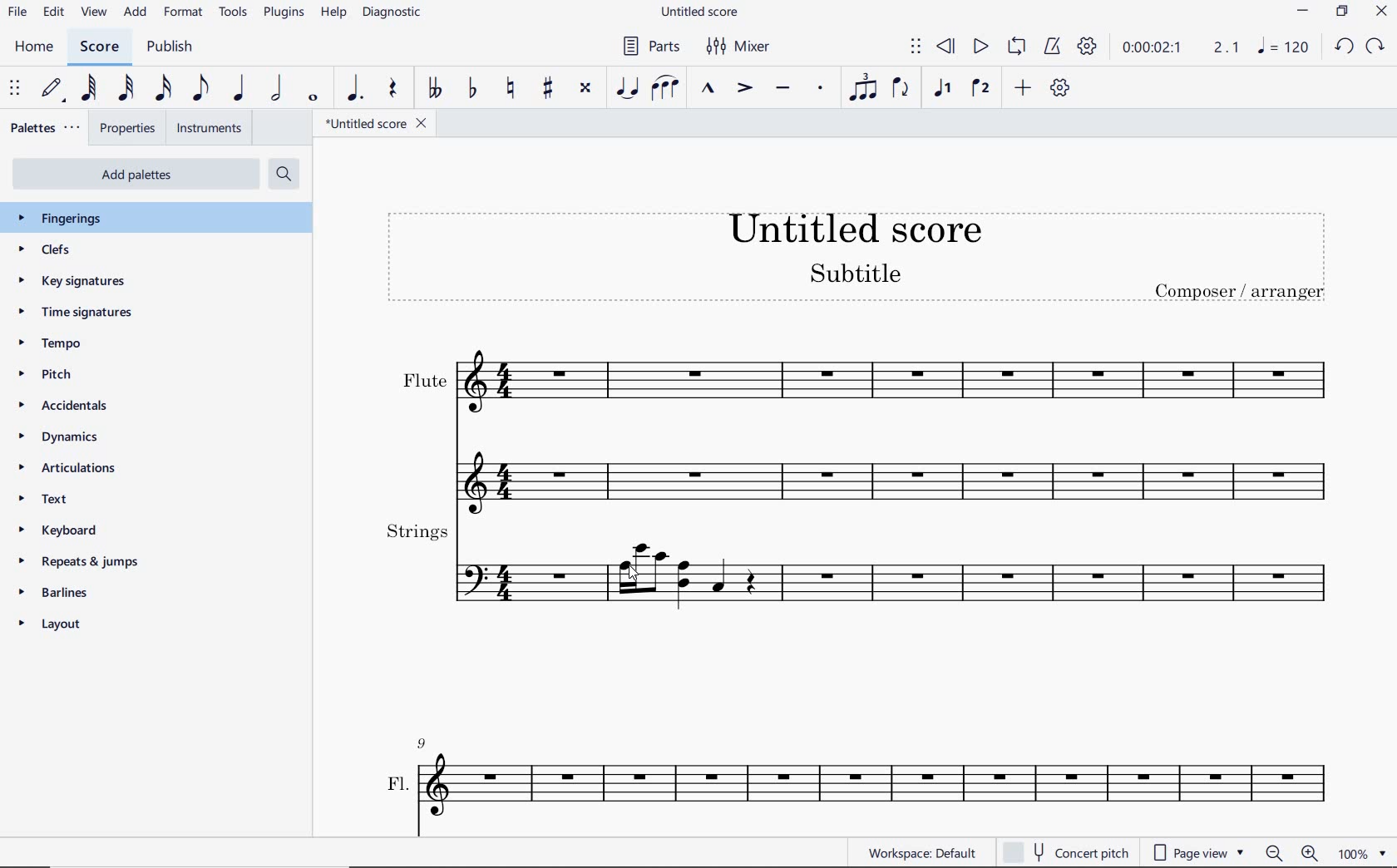 The width and height of the screenshot is (1397, 868). Describe the element at coordinates (199, 88) in the screenshot. I see `eighth note` at that location.